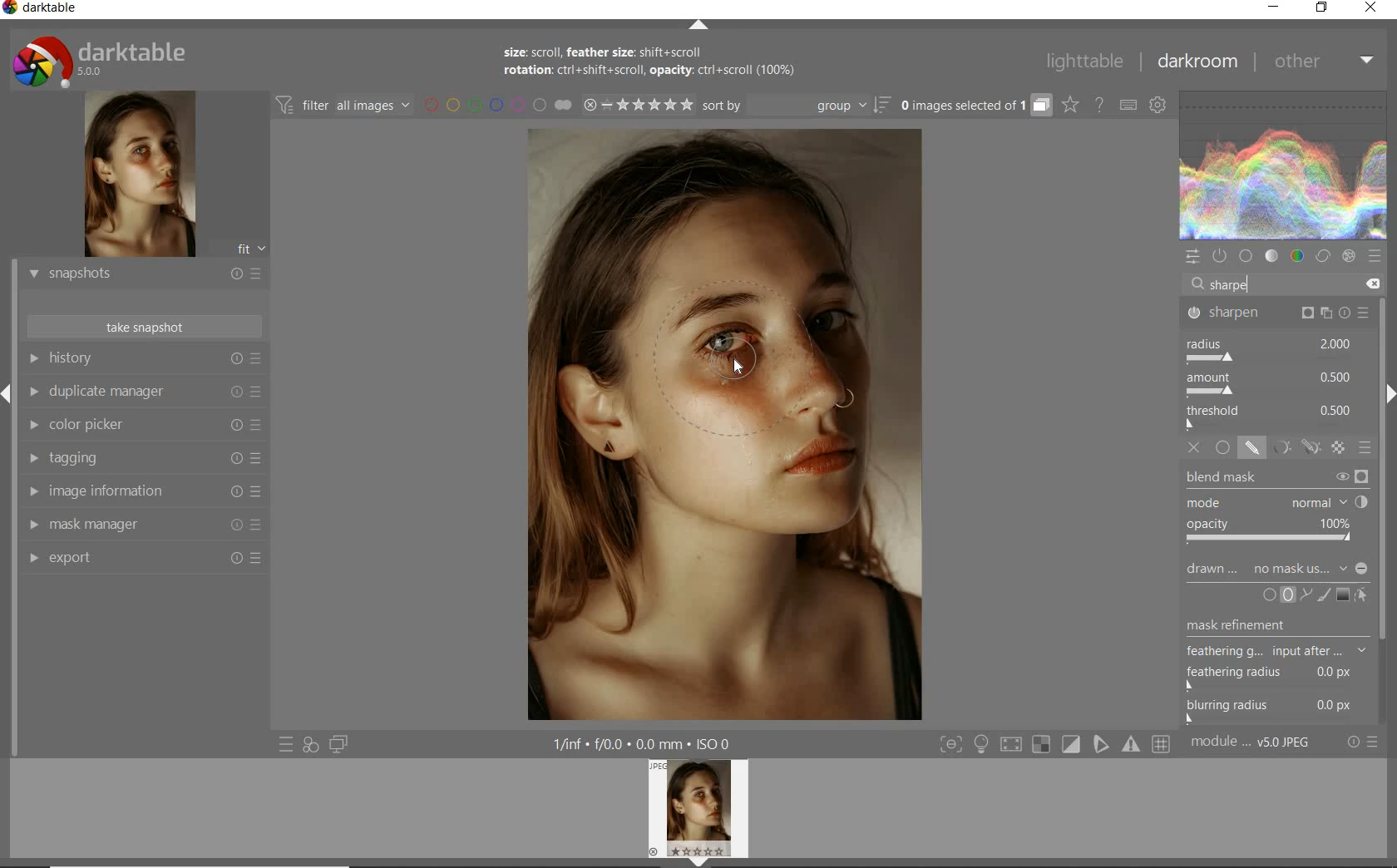 Image resolution: width=1397 pixels, height=868 pixels. What do you see at coordinates (1325, 594) in the screenshot?
I see `ADD BRUSH` at bounding box center [1325, 594].